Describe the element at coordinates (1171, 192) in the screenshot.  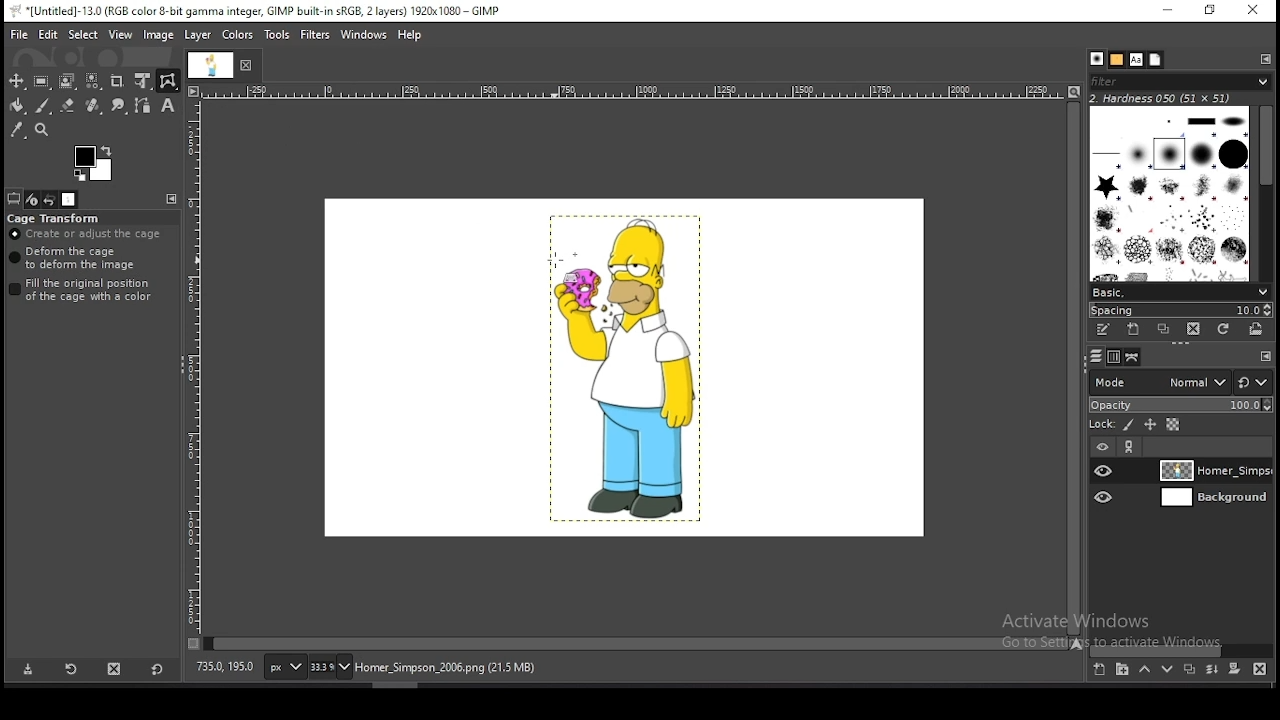
I see `brushes` at that location.